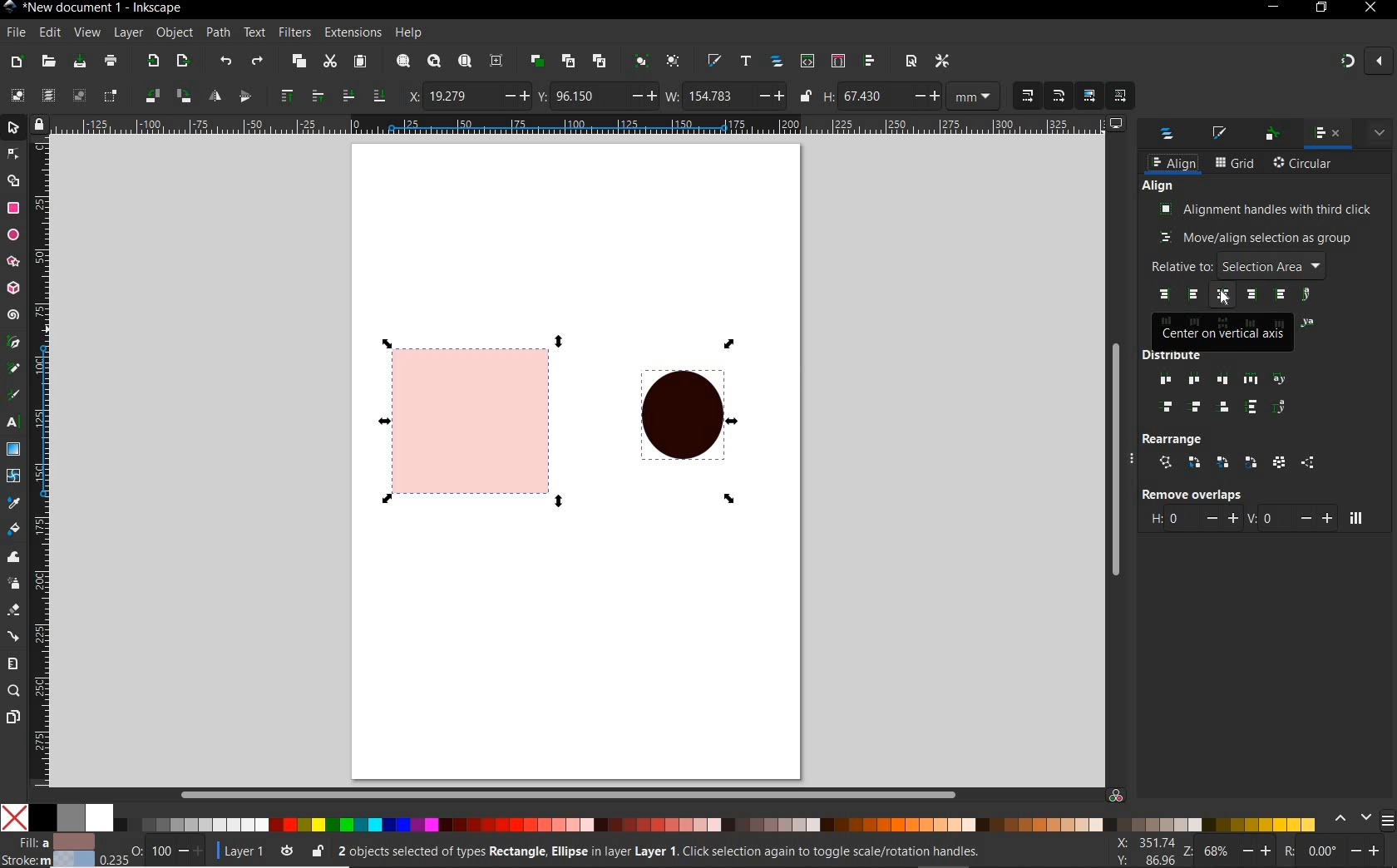  I want to click on node tool, so click(12, 152).